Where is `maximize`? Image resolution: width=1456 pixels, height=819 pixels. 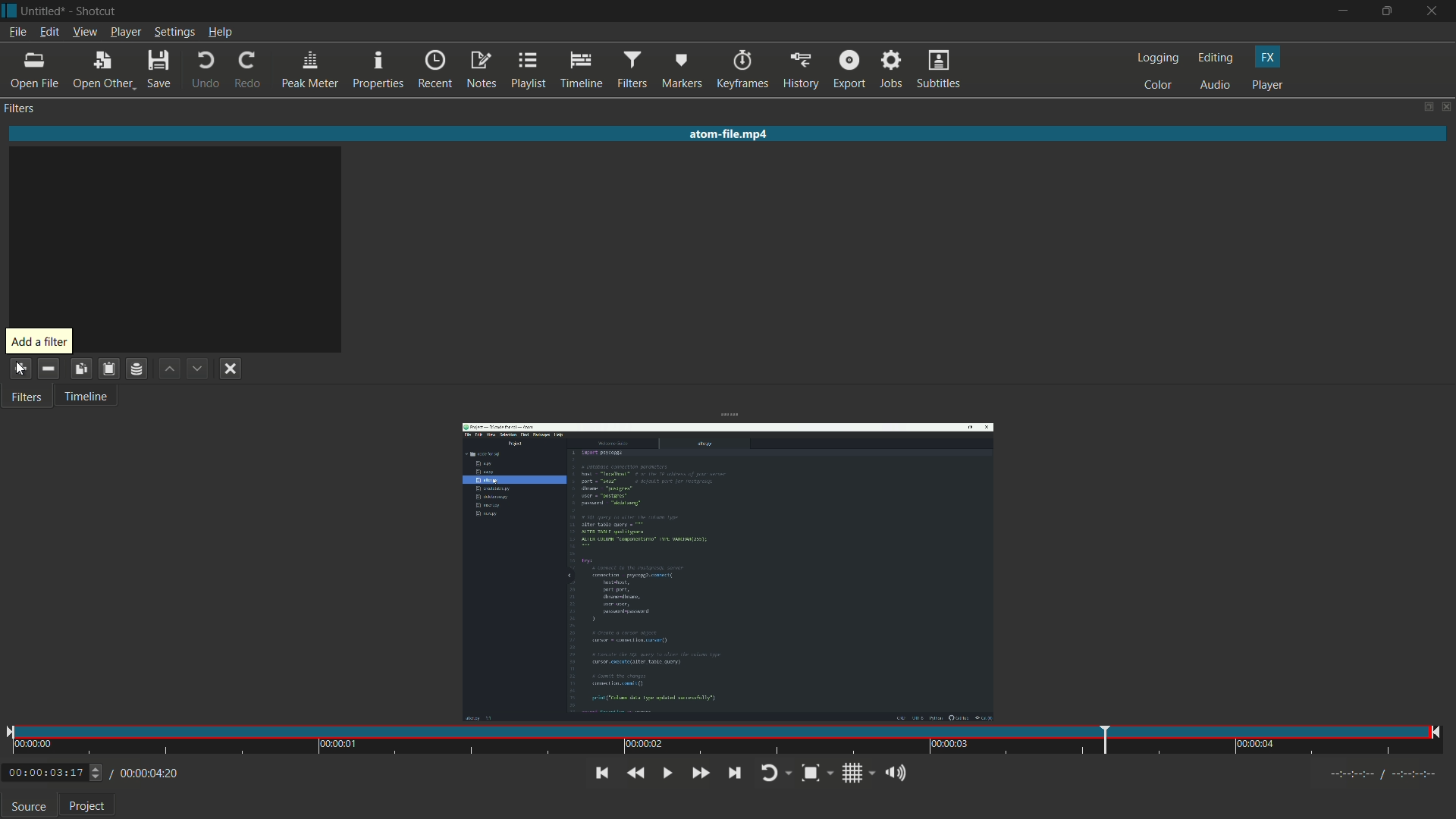
maximize is located at coordinates (1391, 11).